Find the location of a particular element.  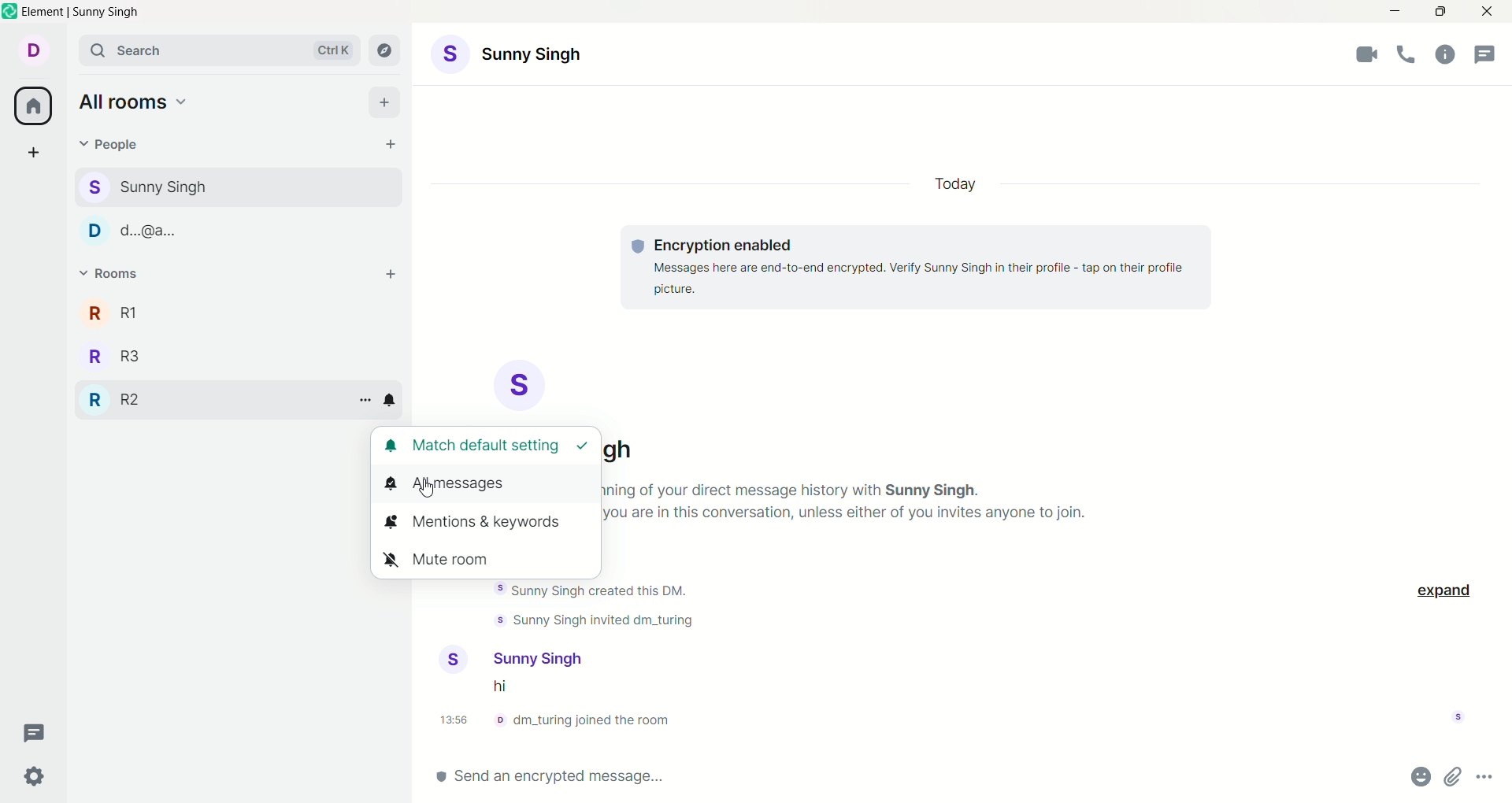

CURSOR is located at coordinates (423, 489).